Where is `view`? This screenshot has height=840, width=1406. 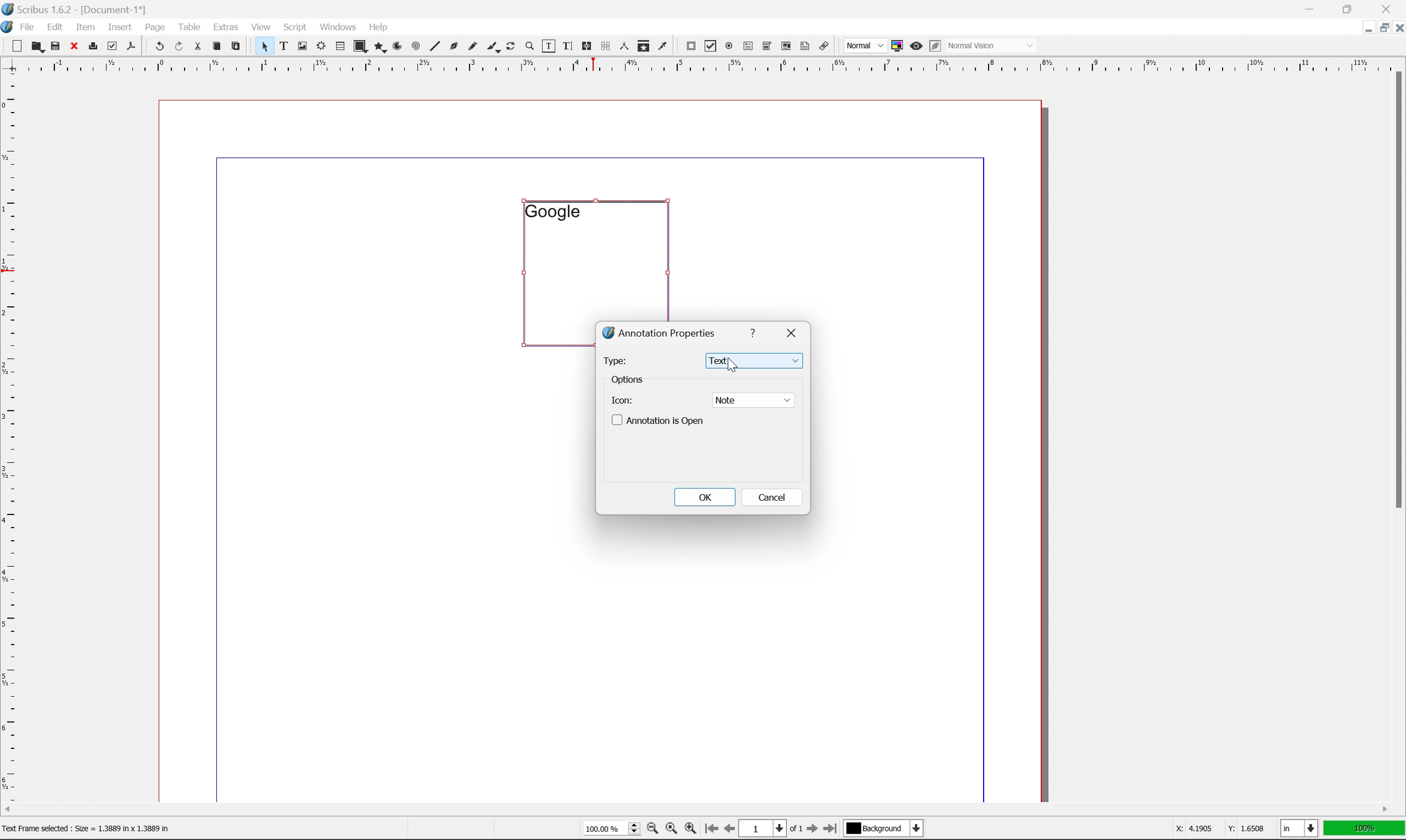 view is located at coordinates (263, 26).